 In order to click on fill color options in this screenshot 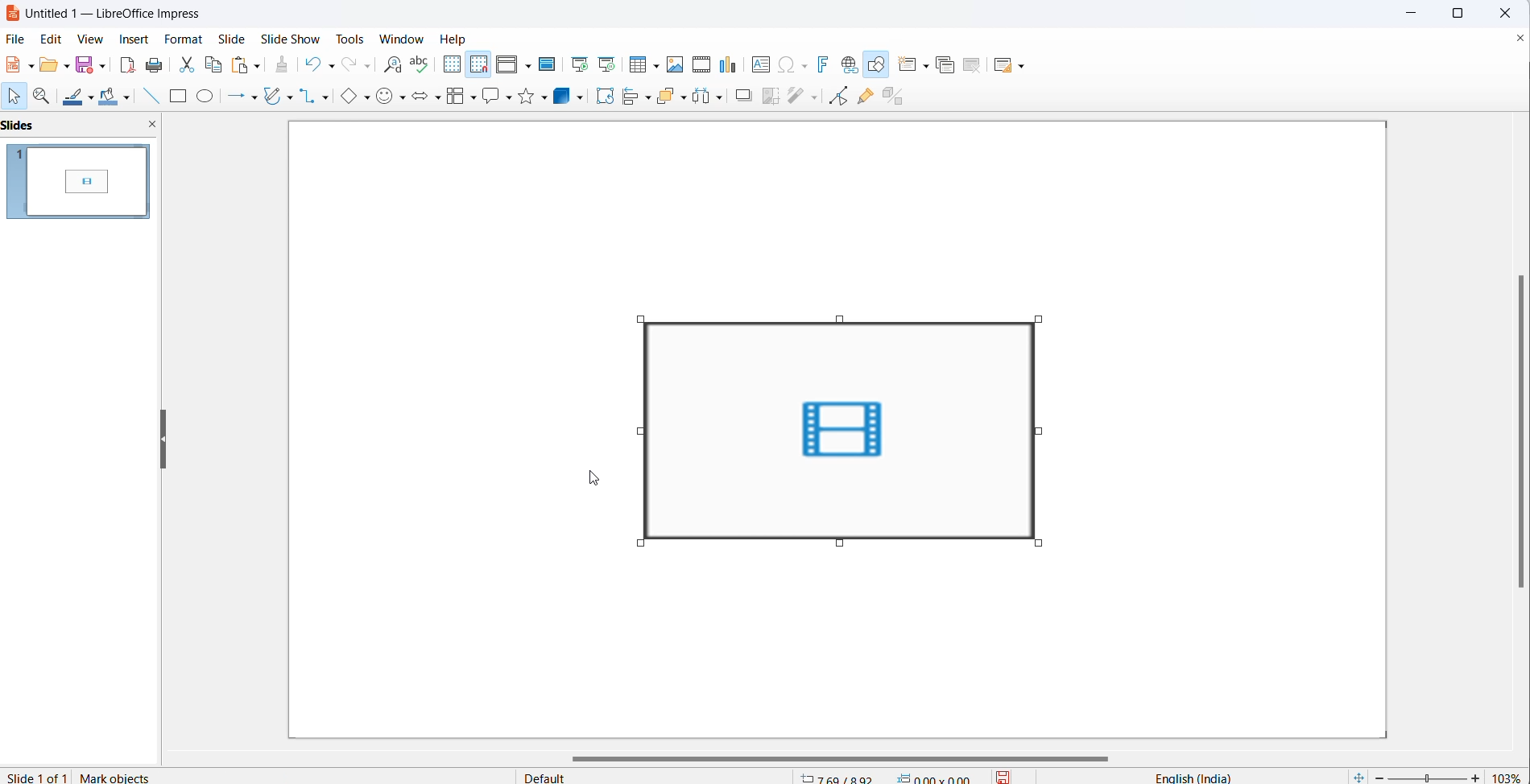, I will do `click(126, 101)`.